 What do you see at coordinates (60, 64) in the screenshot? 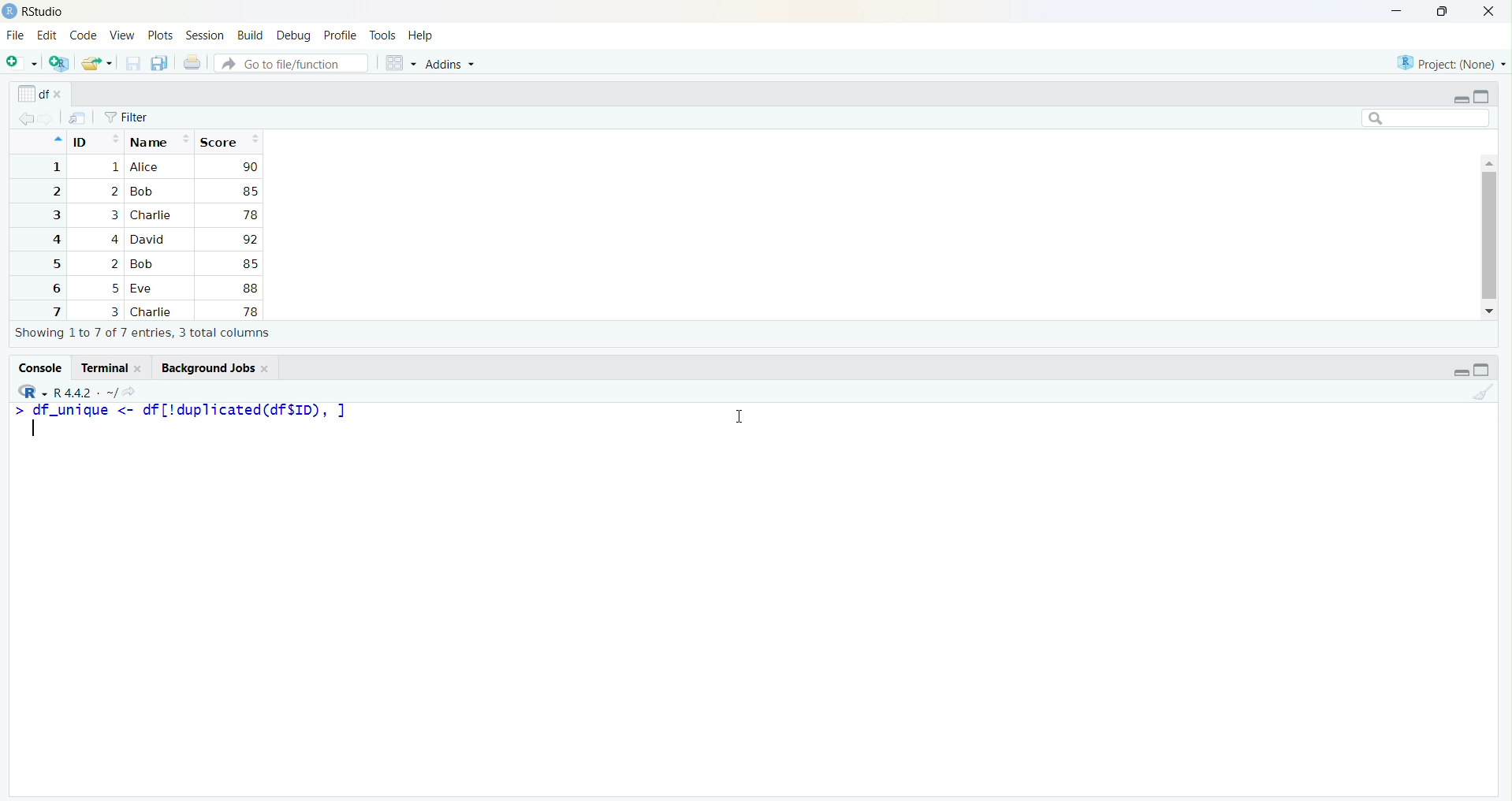
I see `New project` at bounding box center [60, 64].